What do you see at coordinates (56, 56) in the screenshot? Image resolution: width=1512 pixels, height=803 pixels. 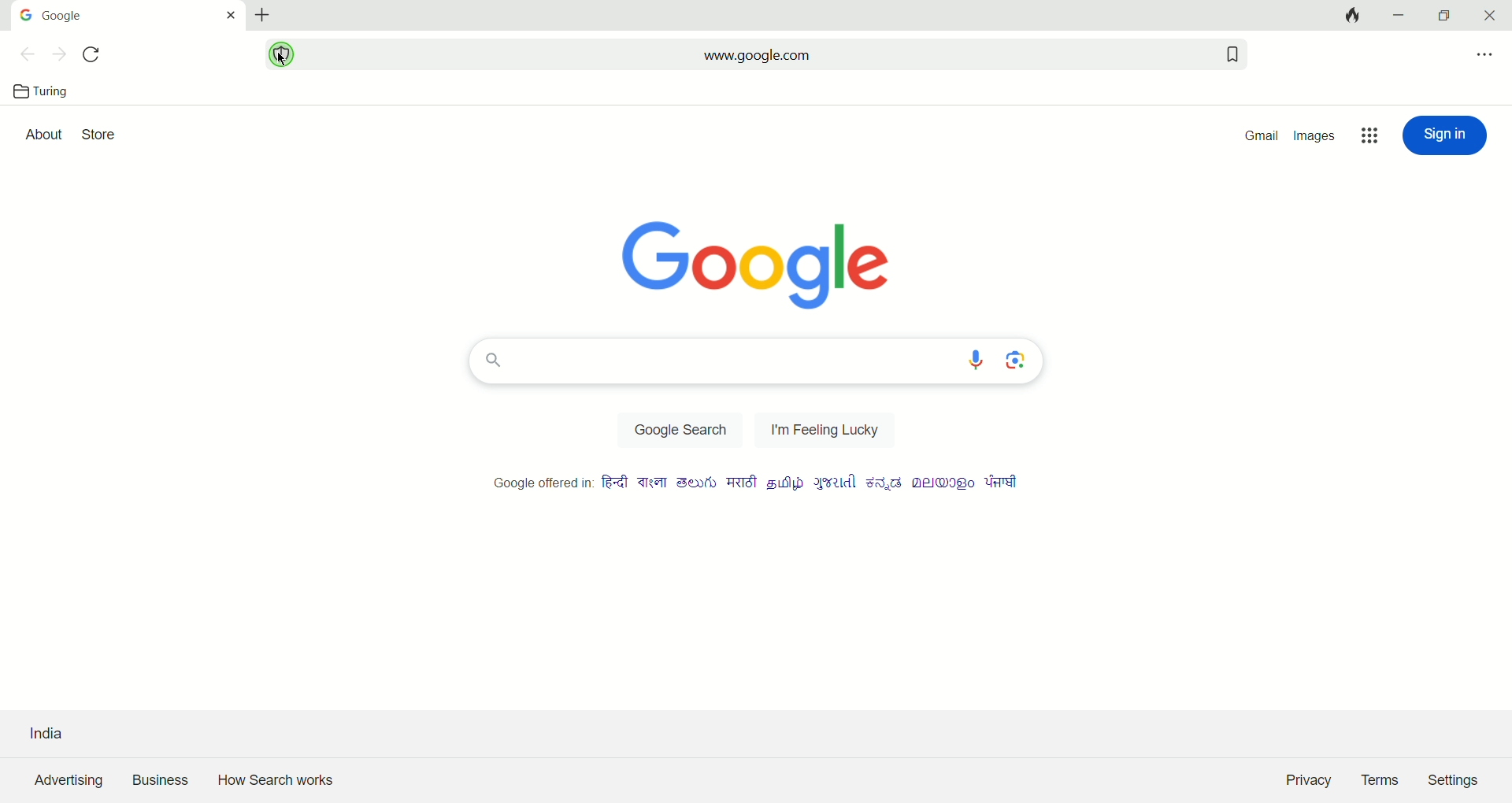 I see `next` at bounding box center [56, 56].